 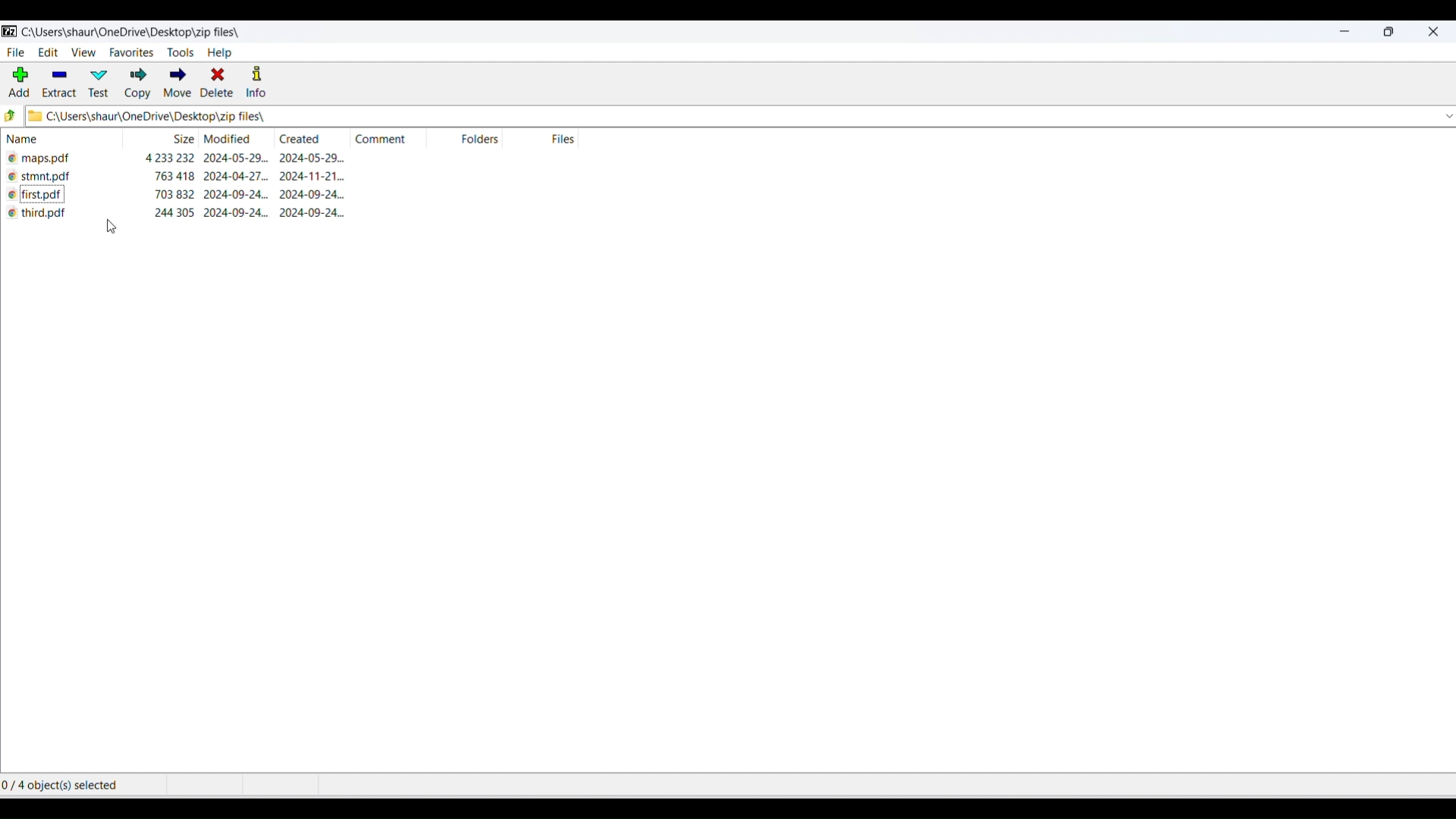 I want to click on move, so click(x=176, y=83).